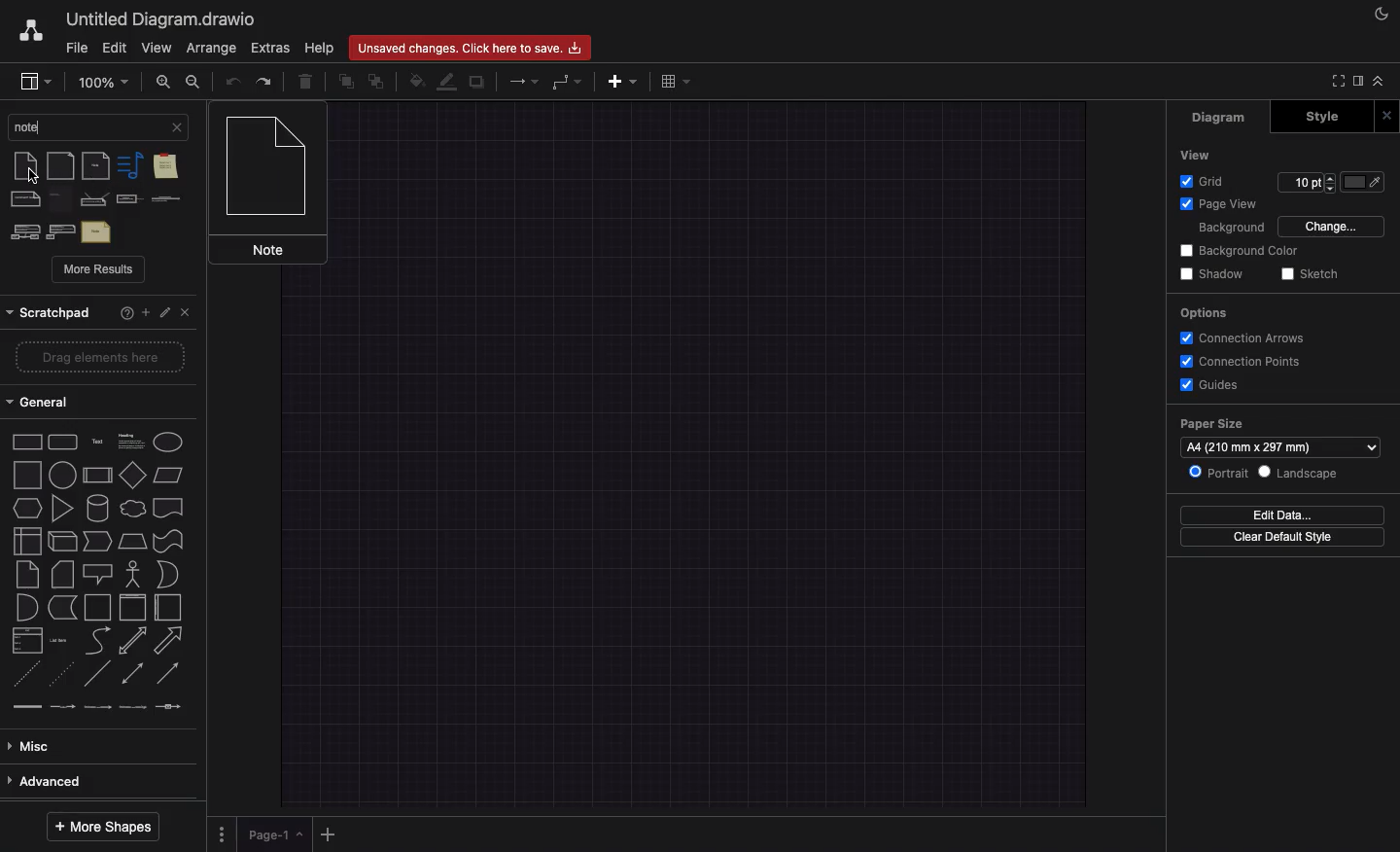 Image resolution: width=1400 pixels, height=852 pixels. Describe the element at coordinates (133, 474) in the screenshot. I see `parallelogram` at that location.